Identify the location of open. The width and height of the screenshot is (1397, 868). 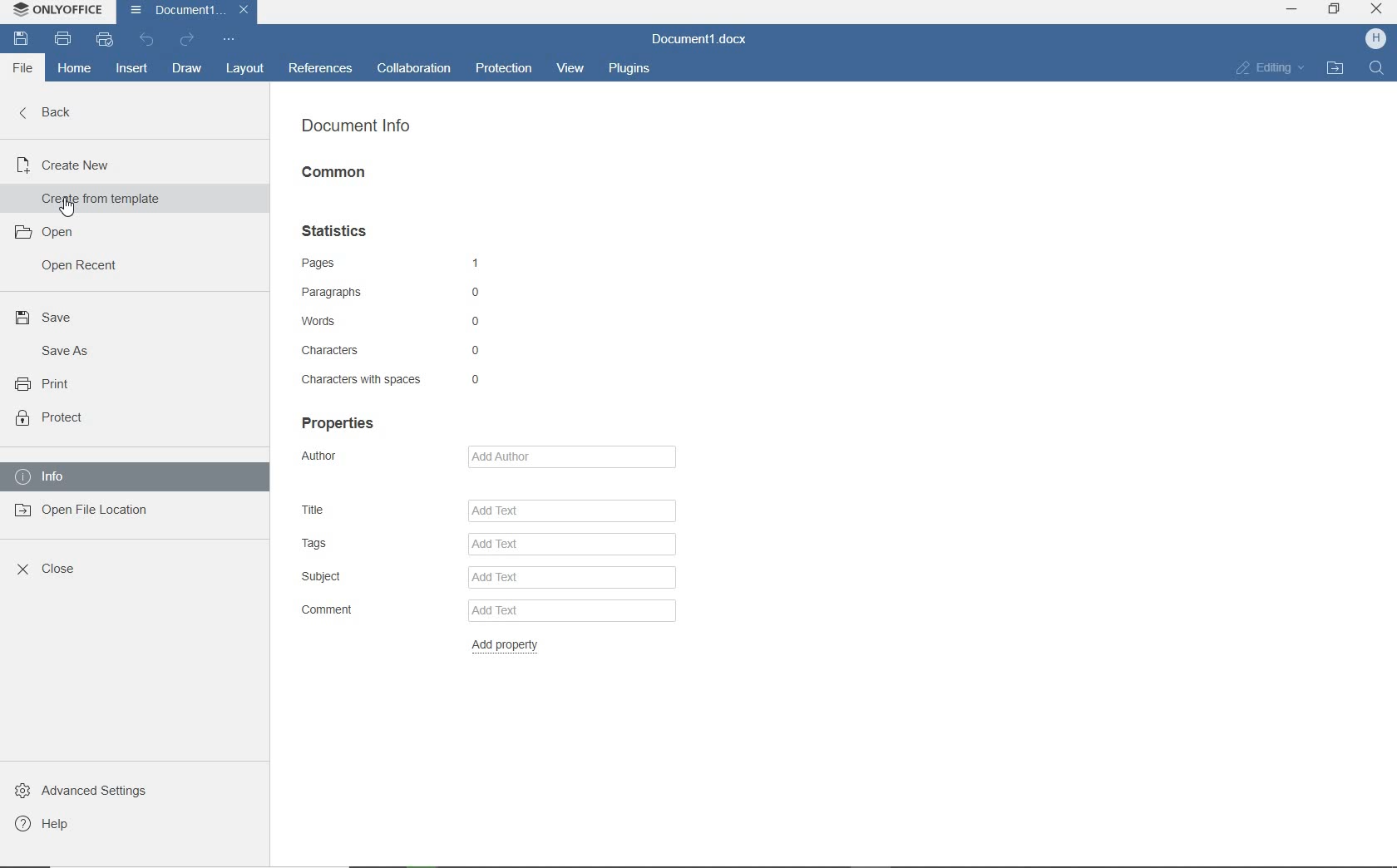
(44, 233).